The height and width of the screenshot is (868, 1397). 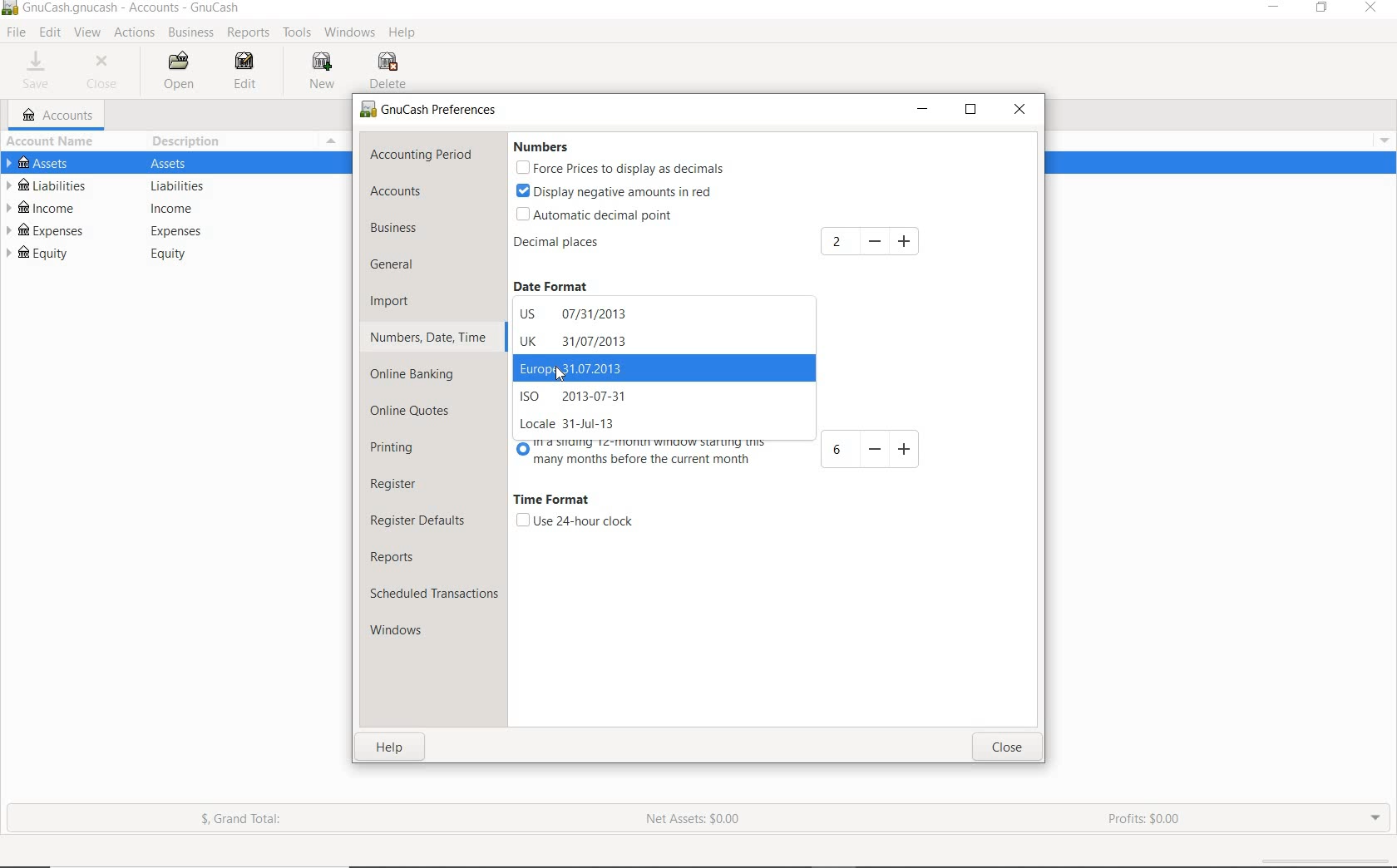 What do you see at coordinates (136, 33) in the screenshot?
I see `ACTIONS` at bounding box center [136, 33].